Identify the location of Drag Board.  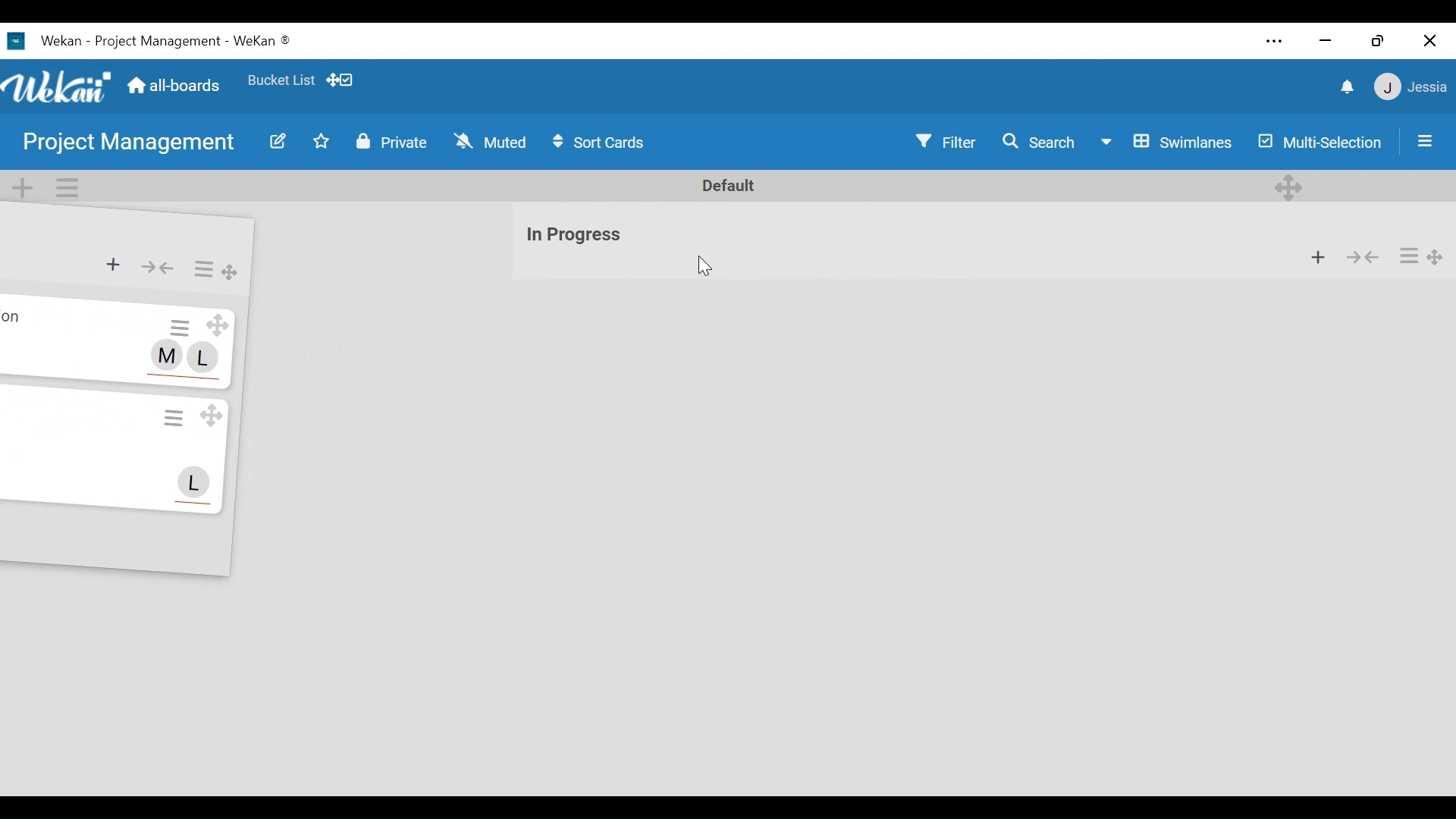
(1437, 256).